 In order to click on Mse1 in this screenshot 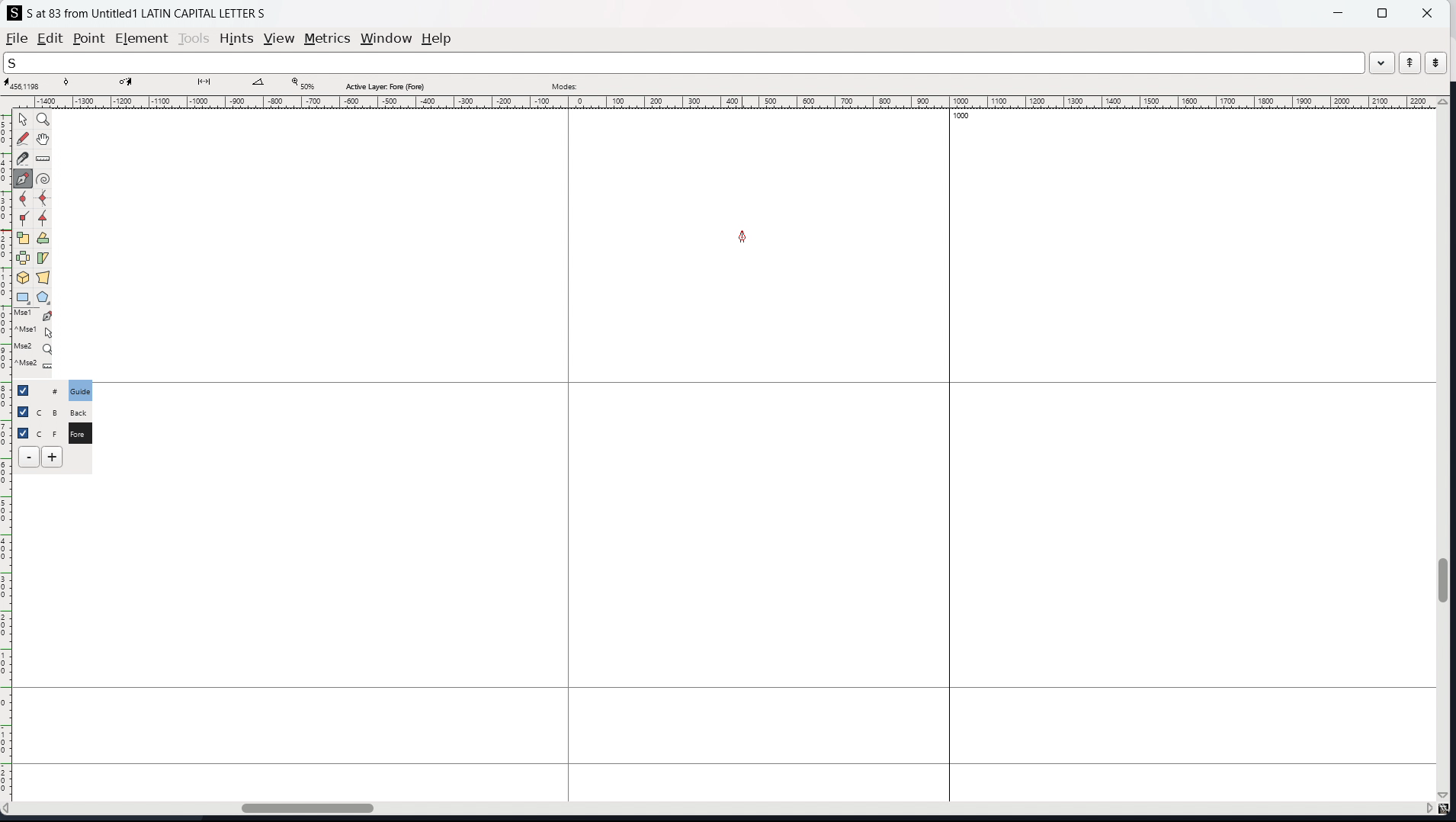, I will do `click(34, 316)`.